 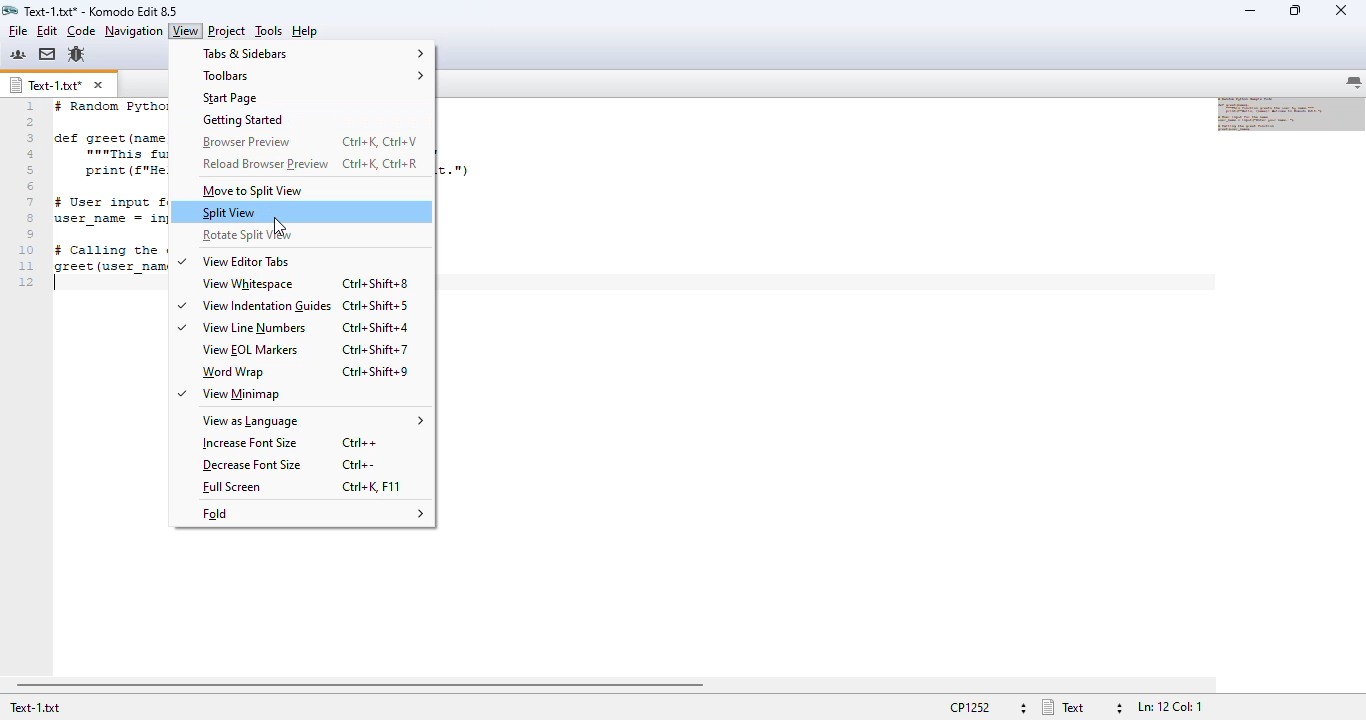 I want to click on view whitespace, so click(x=248, y=283).